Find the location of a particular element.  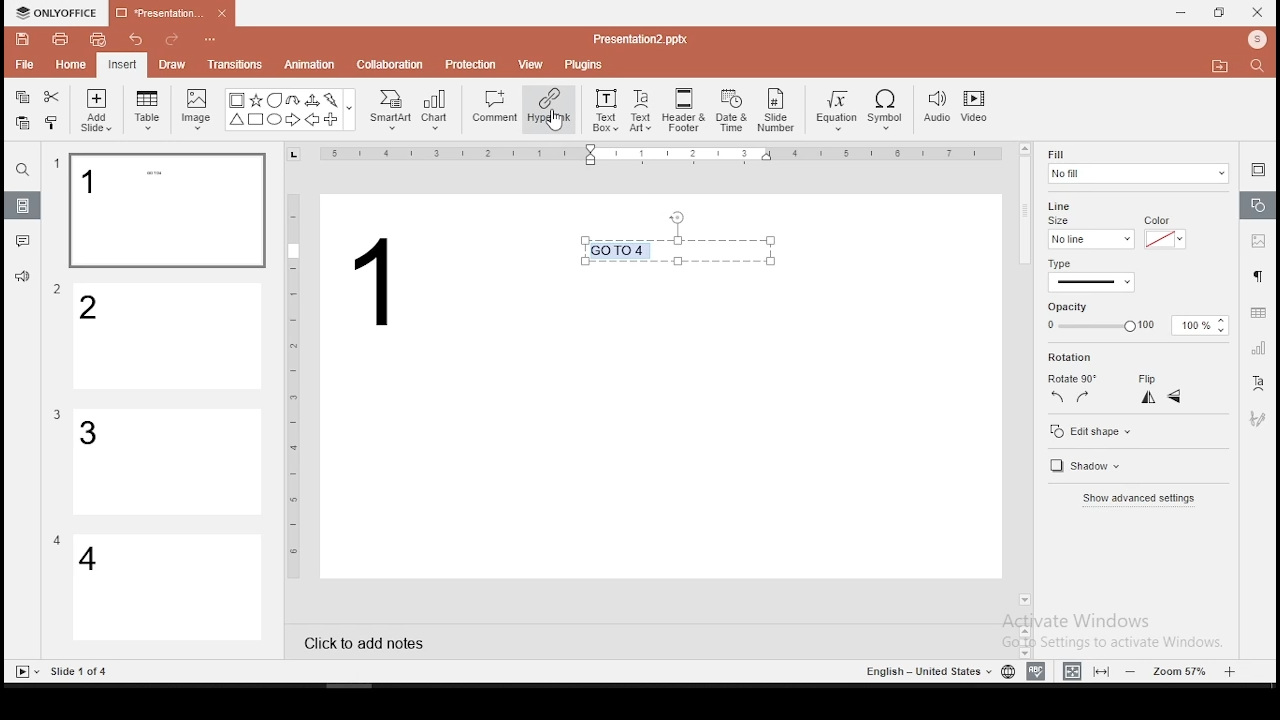

Bordered Box is located at coordinates (237, 100).